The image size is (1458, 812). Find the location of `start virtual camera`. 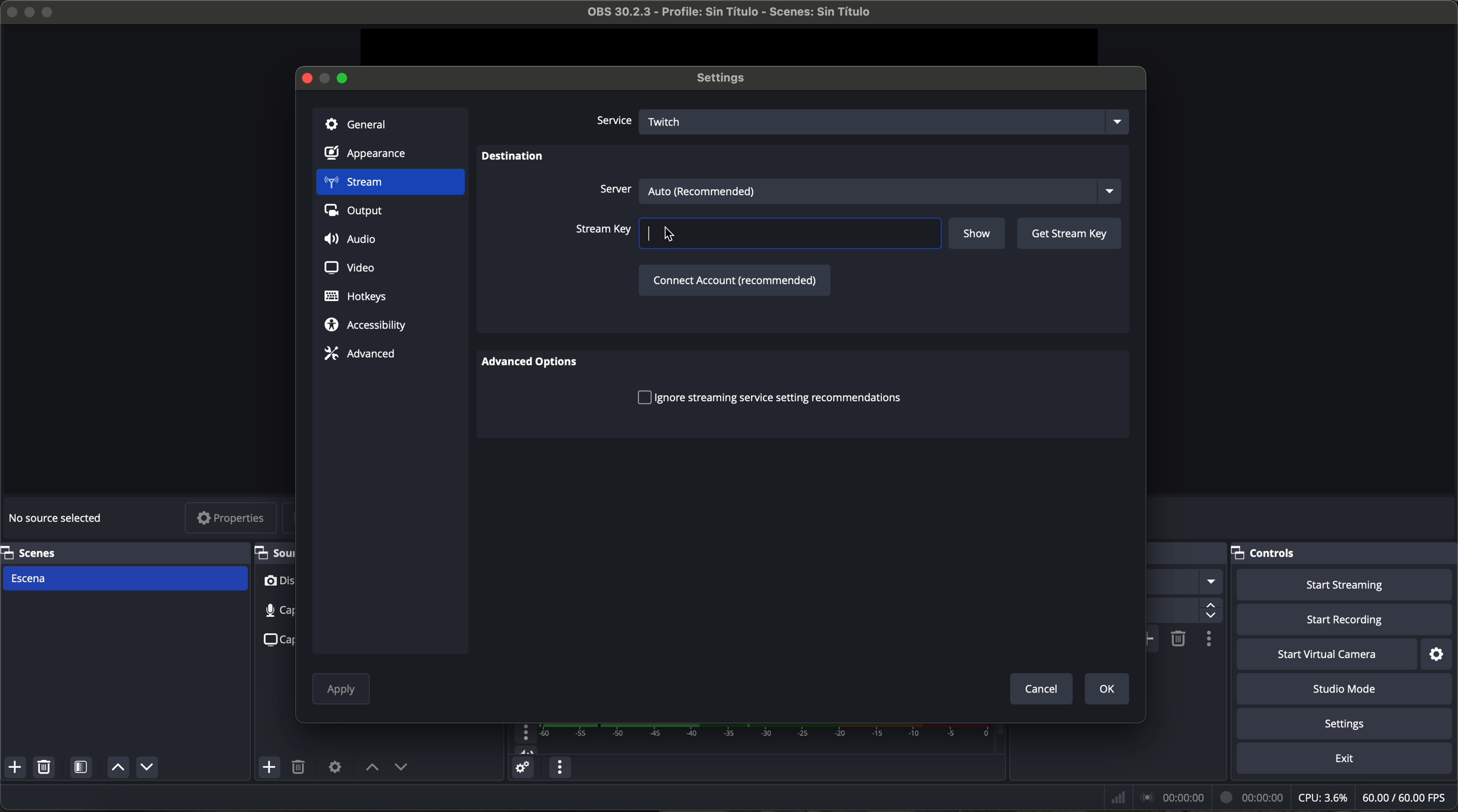

start virtual camera is located at coordinates (1327, 655).